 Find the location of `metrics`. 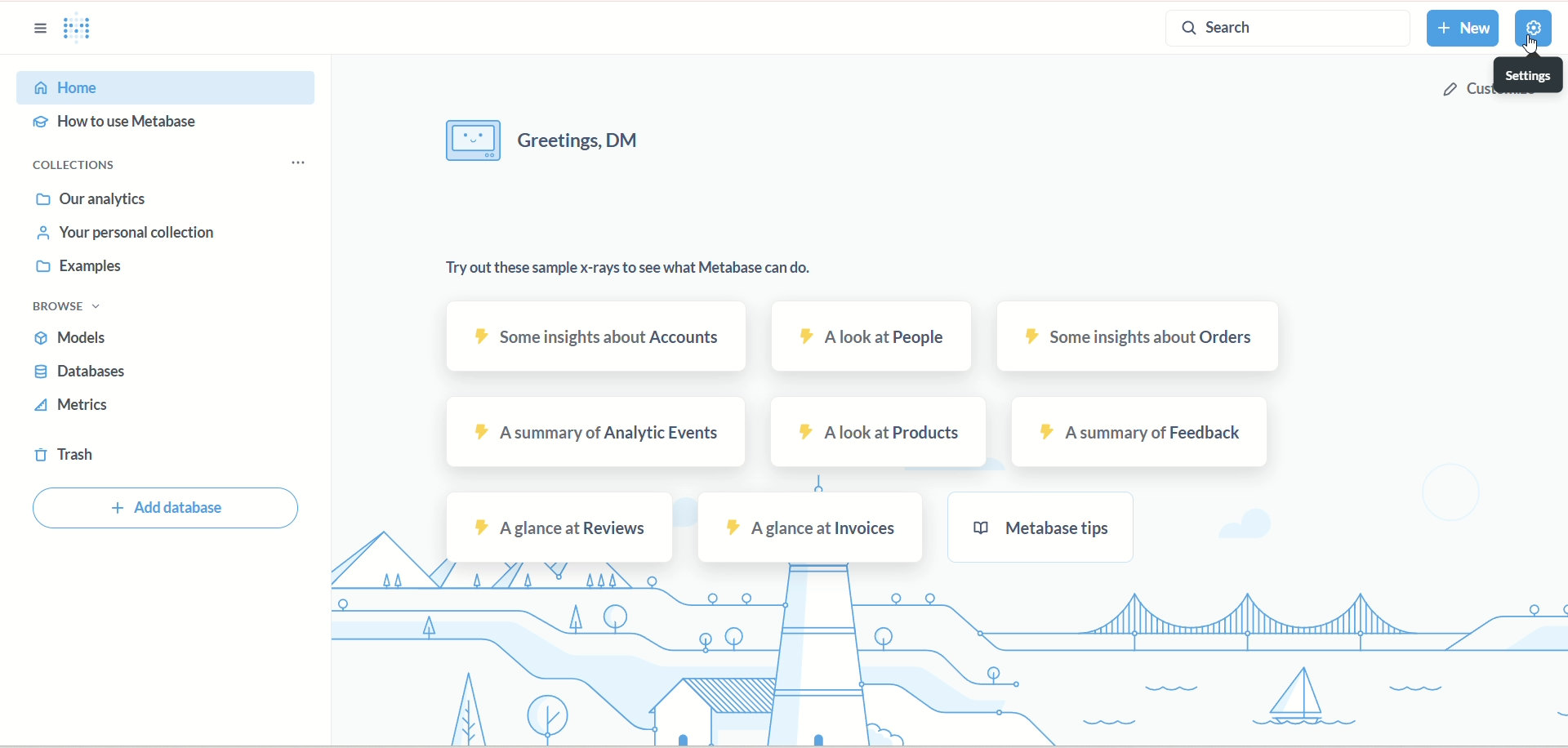

metrics is located at coordinates (74, 408).